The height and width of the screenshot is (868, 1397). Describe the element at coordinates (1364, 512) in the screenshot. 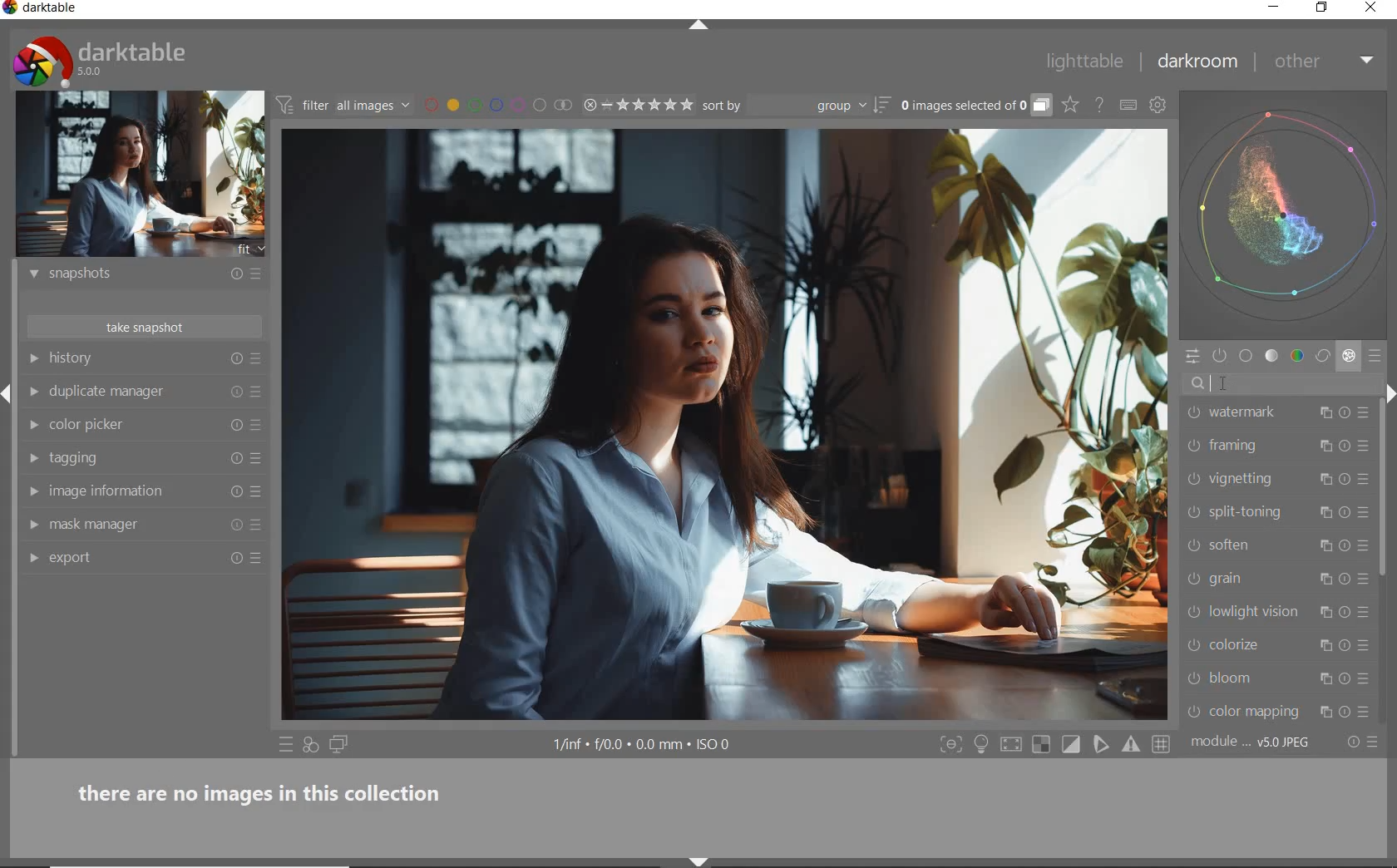

I see `preset and preferences` at that location.